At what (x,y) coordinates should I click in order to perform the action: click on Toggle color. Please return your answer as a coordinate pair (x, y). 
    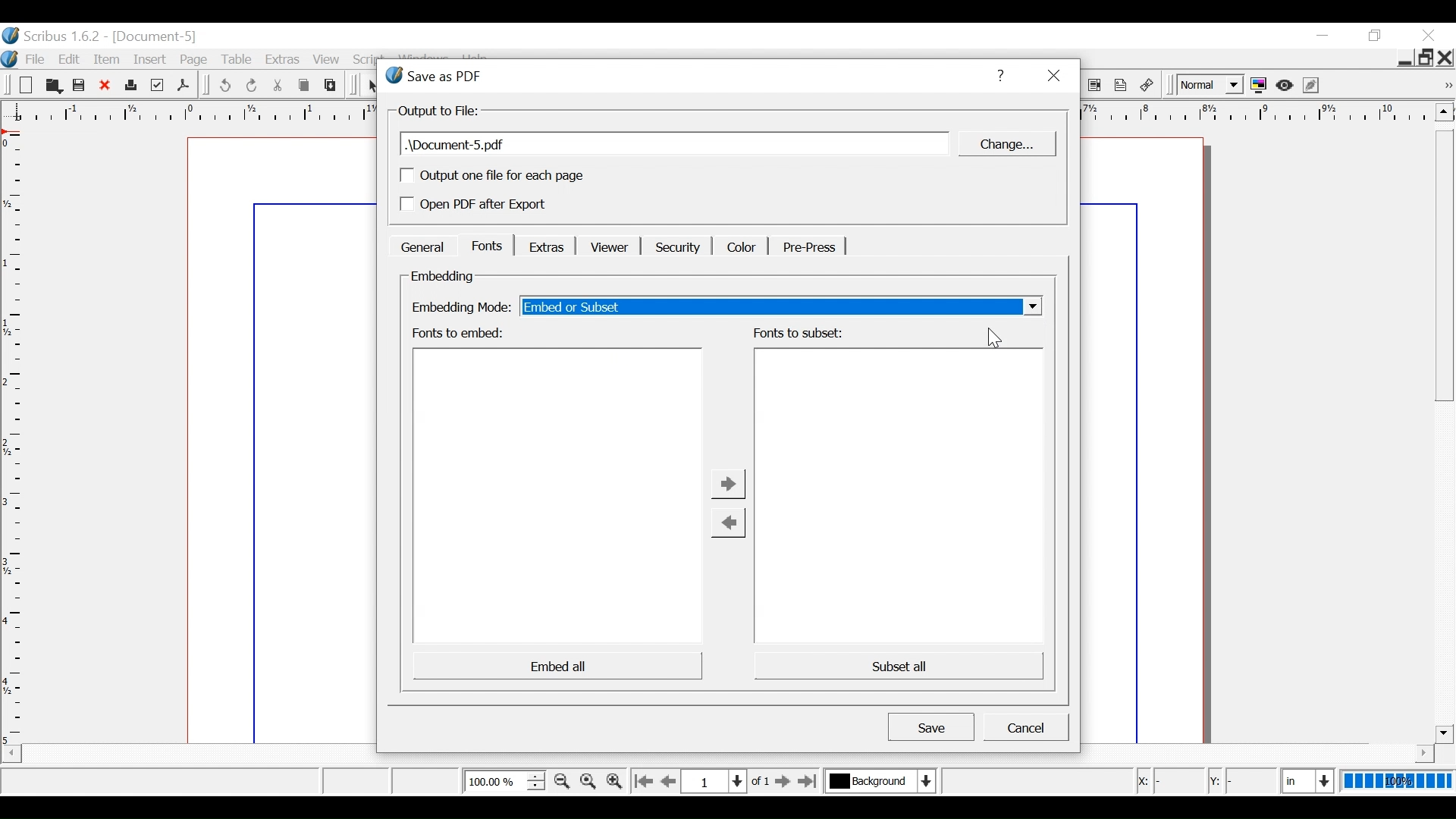
    Looking at the image, I should click on (1259, 86).